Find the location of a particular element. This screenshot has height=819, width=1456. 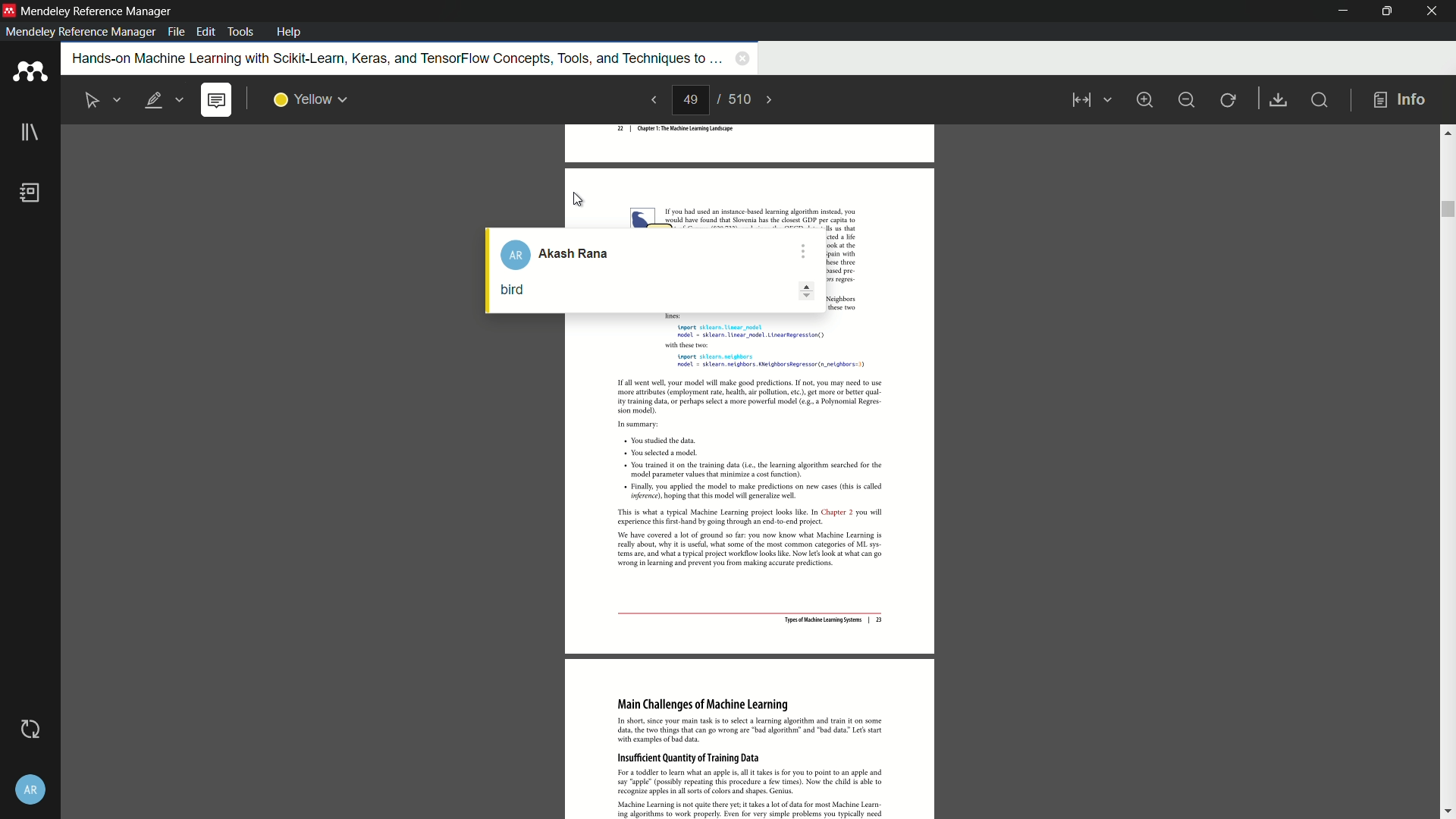

zoom in is located at coordinates (1145, 99).